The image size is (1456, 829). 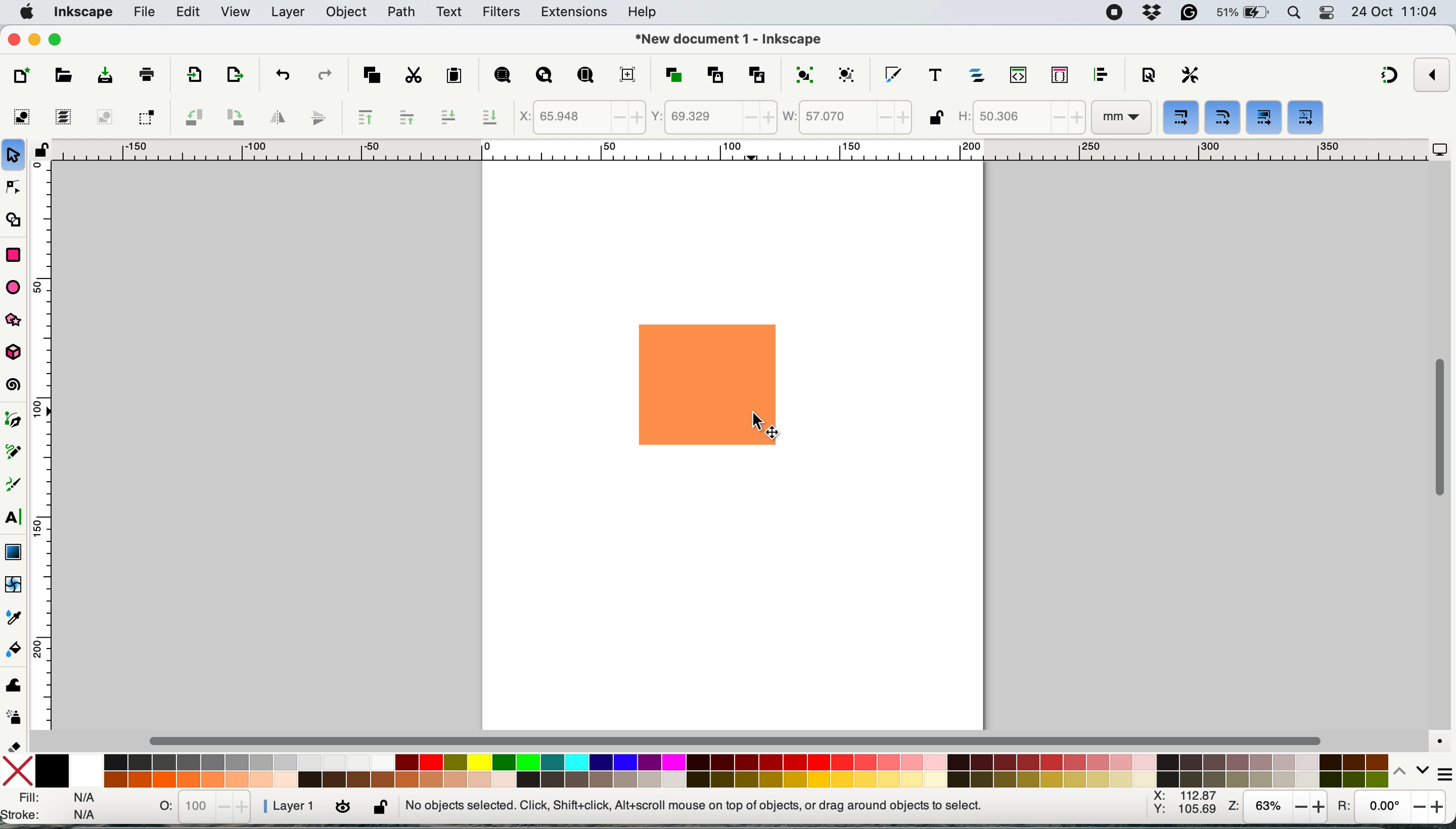 What do you see at coordinates (728, 40) in the screenshot?
I see `document name` at bounding box center [728, 40].